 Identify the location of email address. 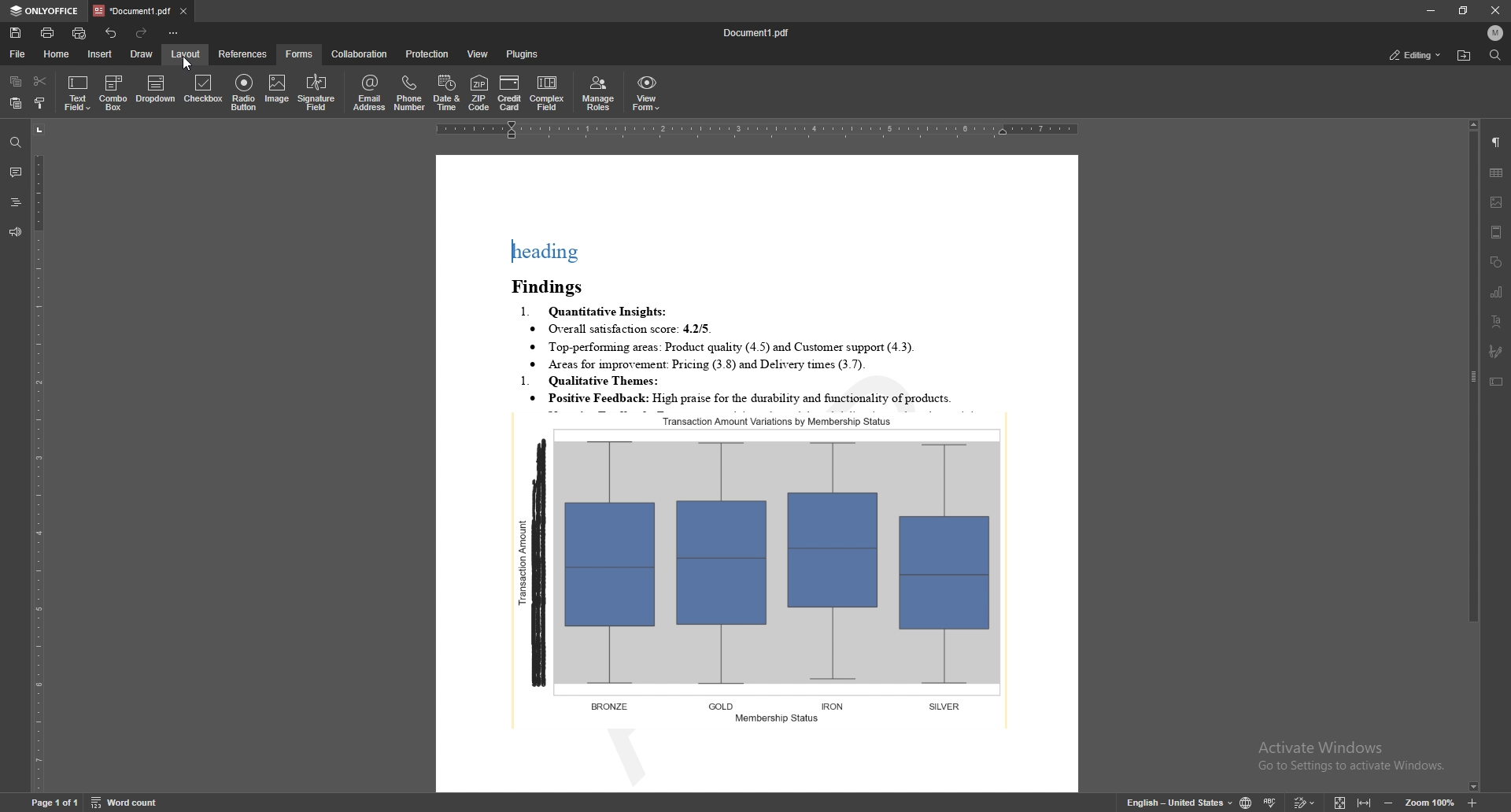
(368, 92).